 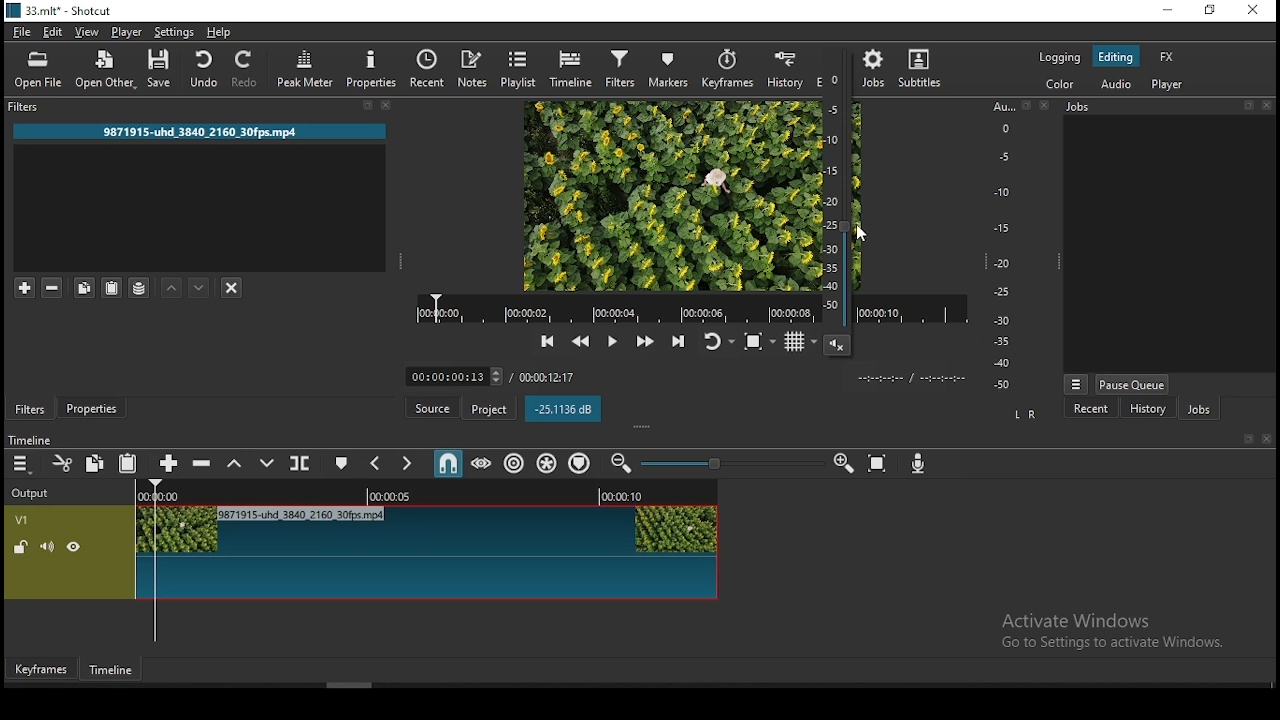 I want to click on Jobs, so click(x=1088, y=108).